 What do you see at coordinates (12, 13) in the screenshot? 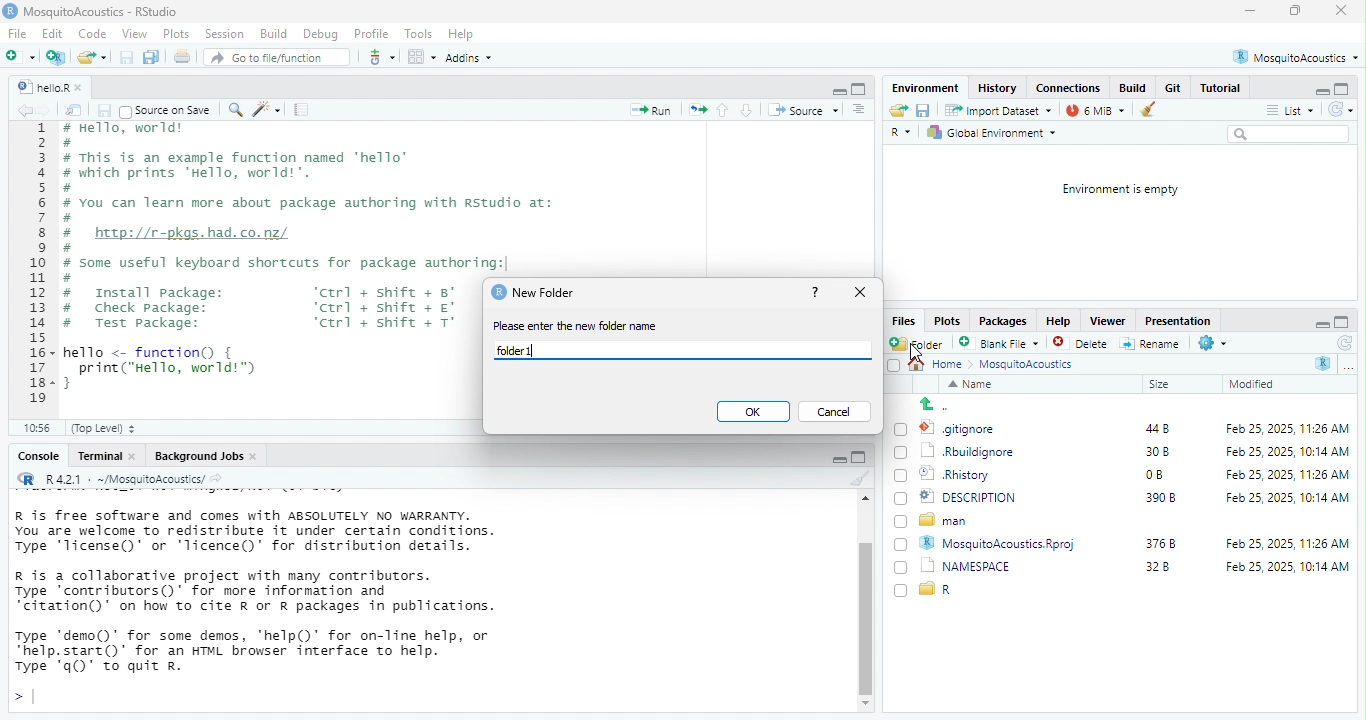
I see `Rstudio logo` at bounding box center [12, 13].